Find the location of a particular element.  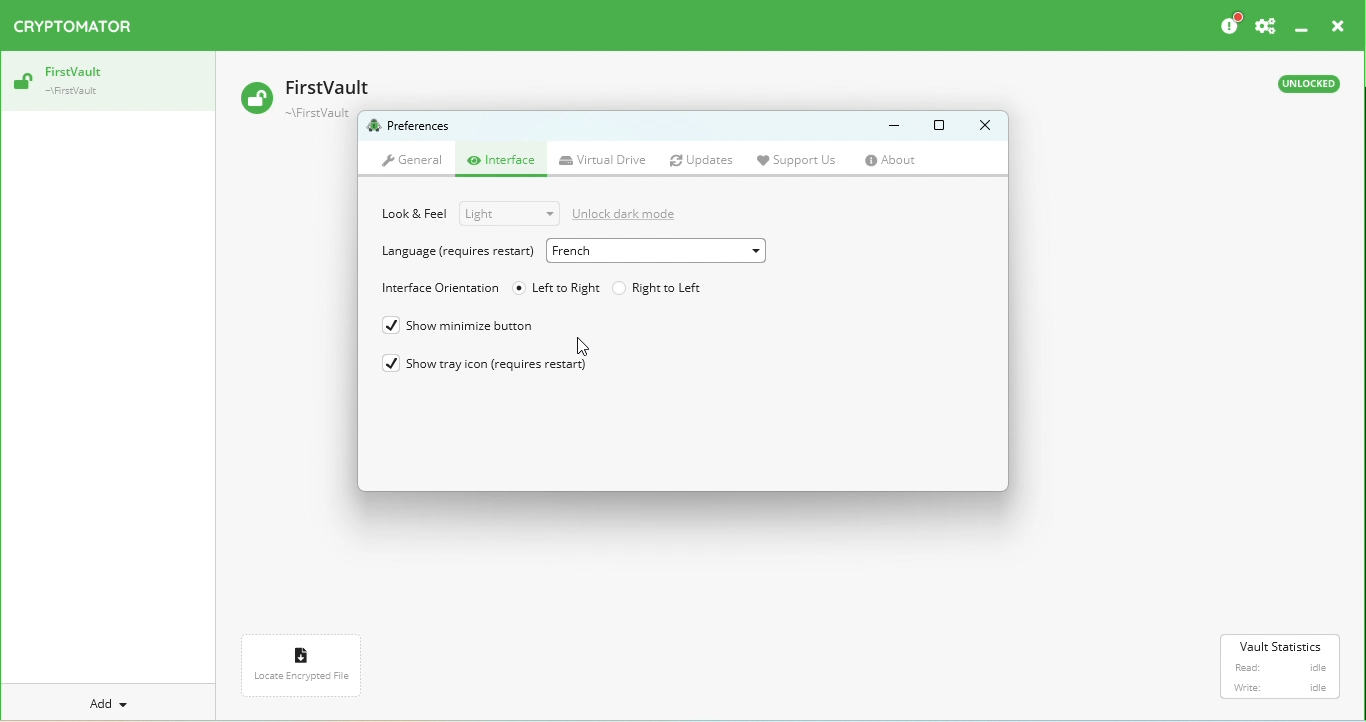

About is located at coordinates (899, 161).